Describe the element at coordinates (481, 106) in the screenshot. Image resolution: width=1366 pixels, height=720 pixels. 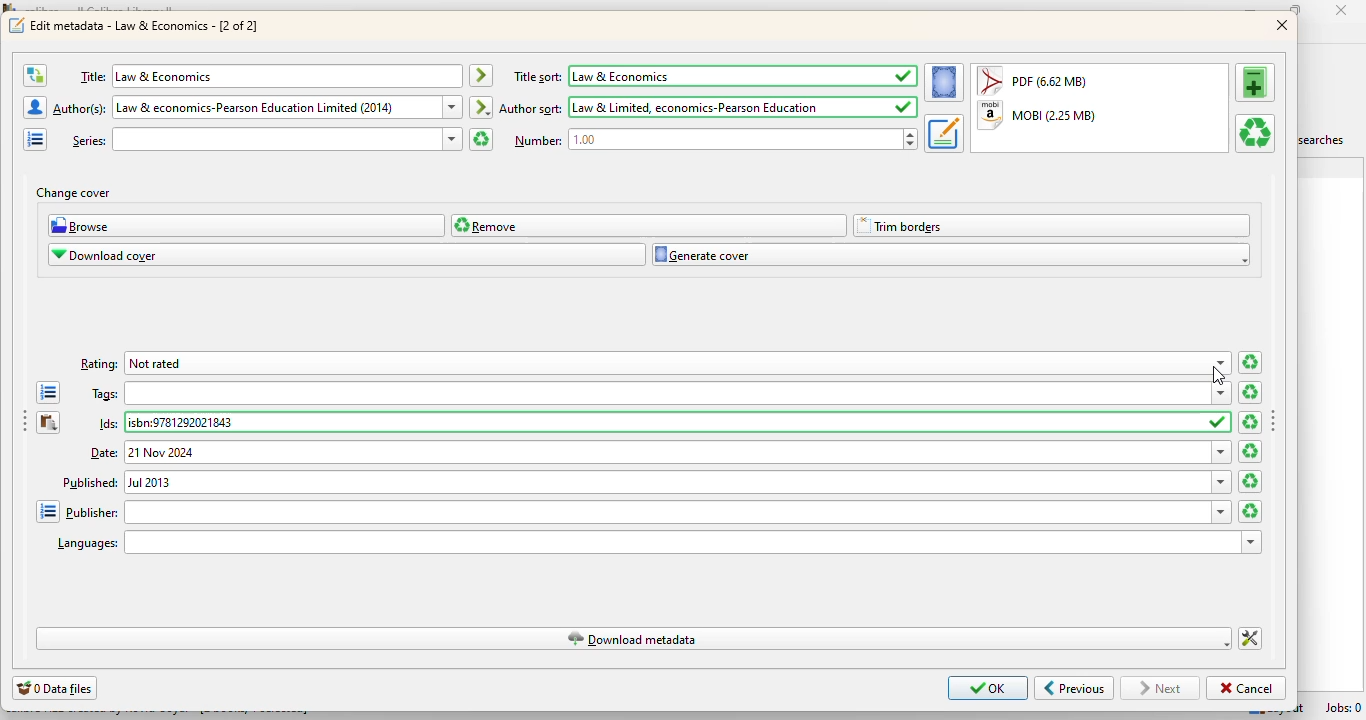
I see `immediately create the author sort entry based on the current author entry` at that location.